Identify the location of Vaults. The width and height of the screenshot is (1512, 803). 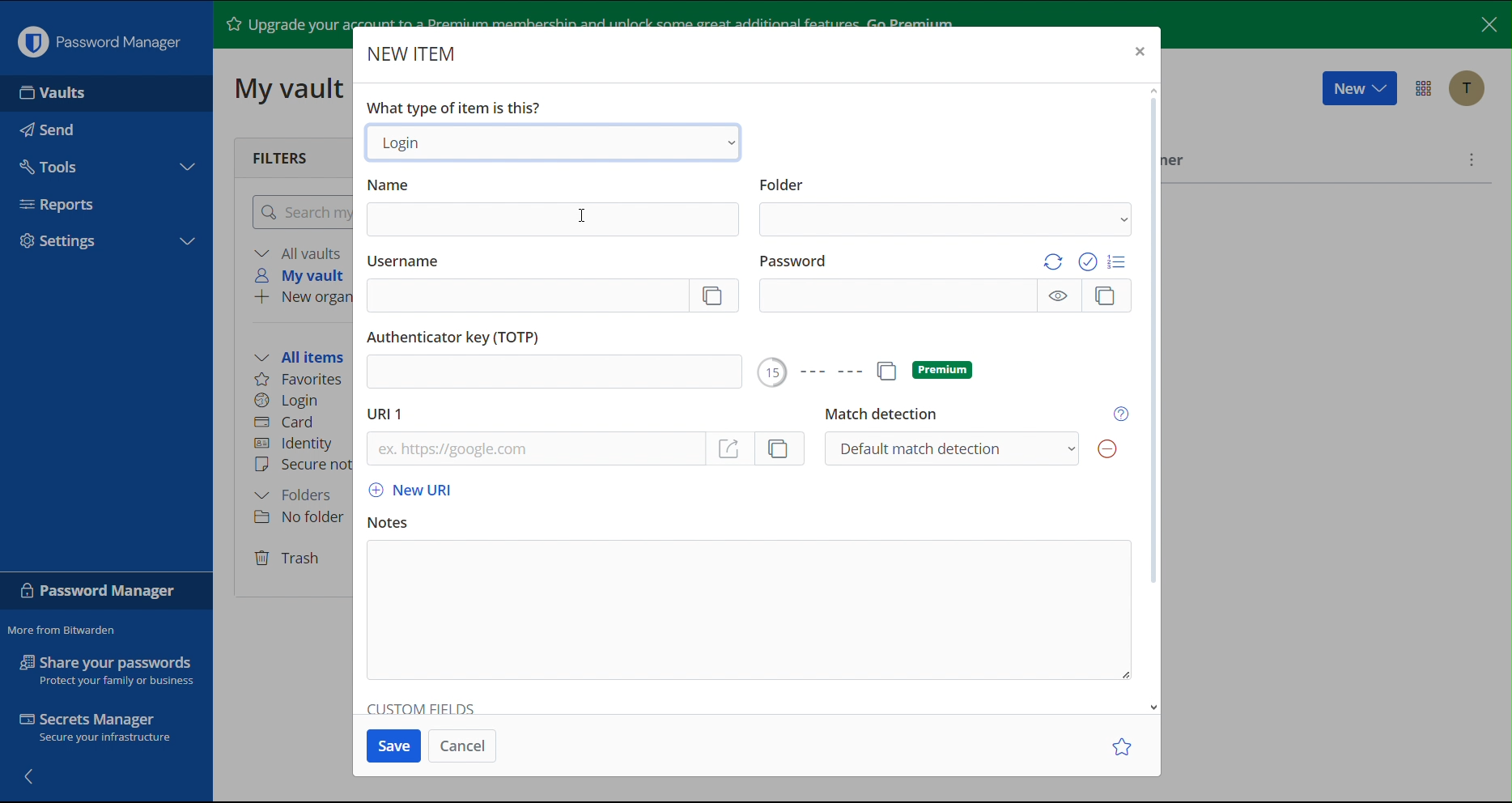
(105, 91).